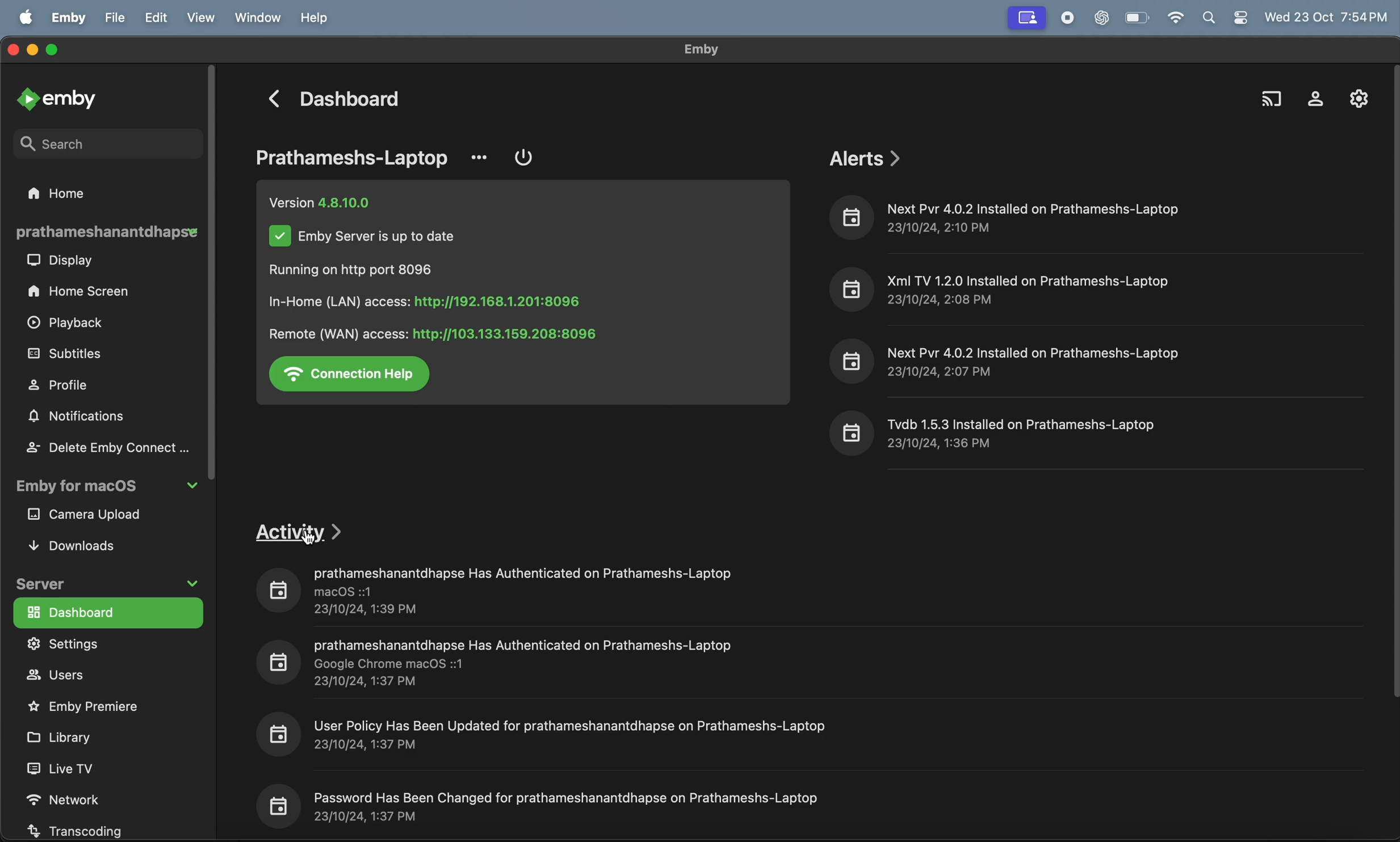 This screenshot has height=842, width=1400. Describe the element at coordinates (90, 828) in the screenshot. I see `transcoding` at that location.